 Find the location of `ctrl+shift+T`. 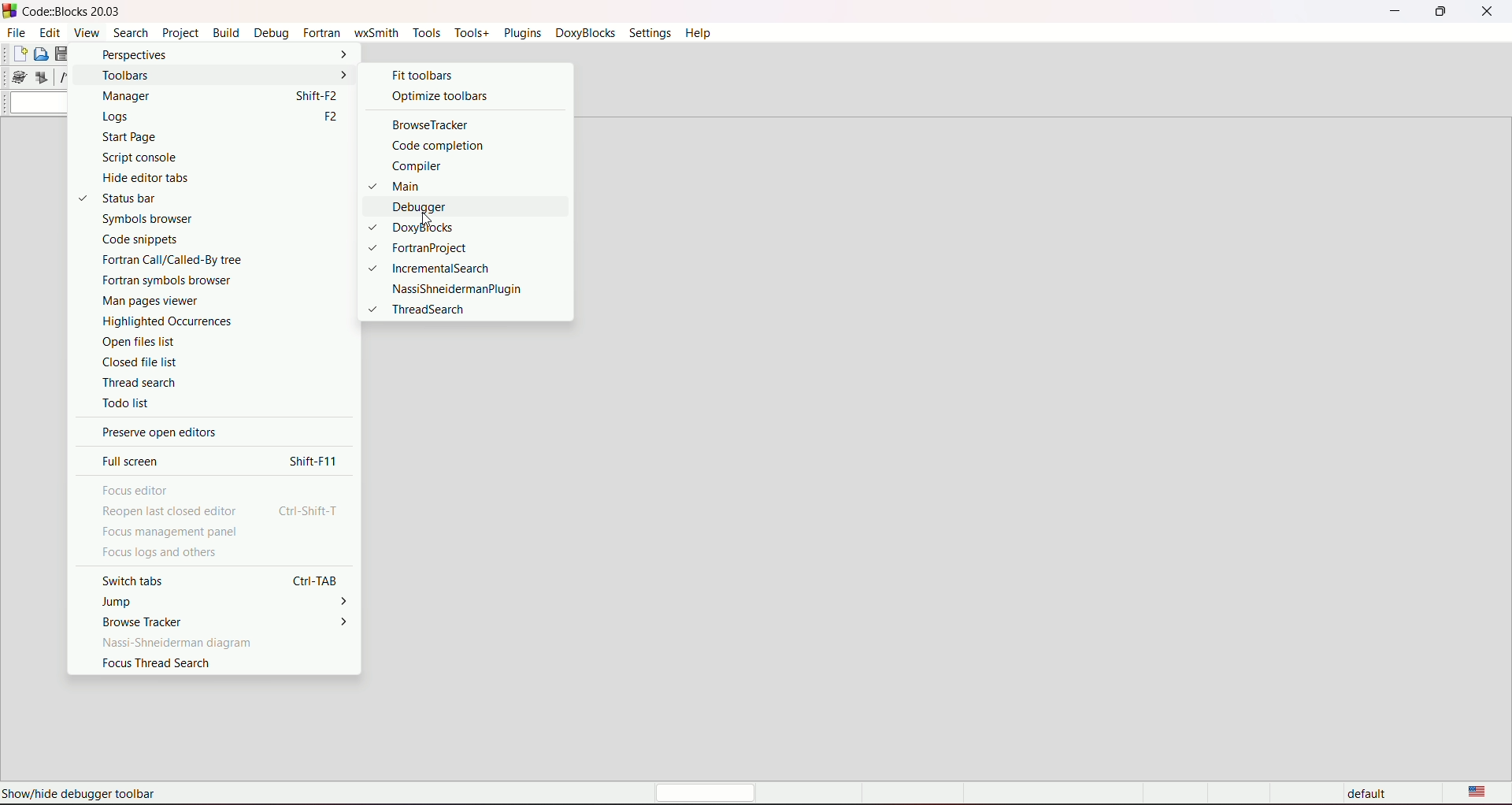

ctrl+shift+T is located at coordinates (310, 510).